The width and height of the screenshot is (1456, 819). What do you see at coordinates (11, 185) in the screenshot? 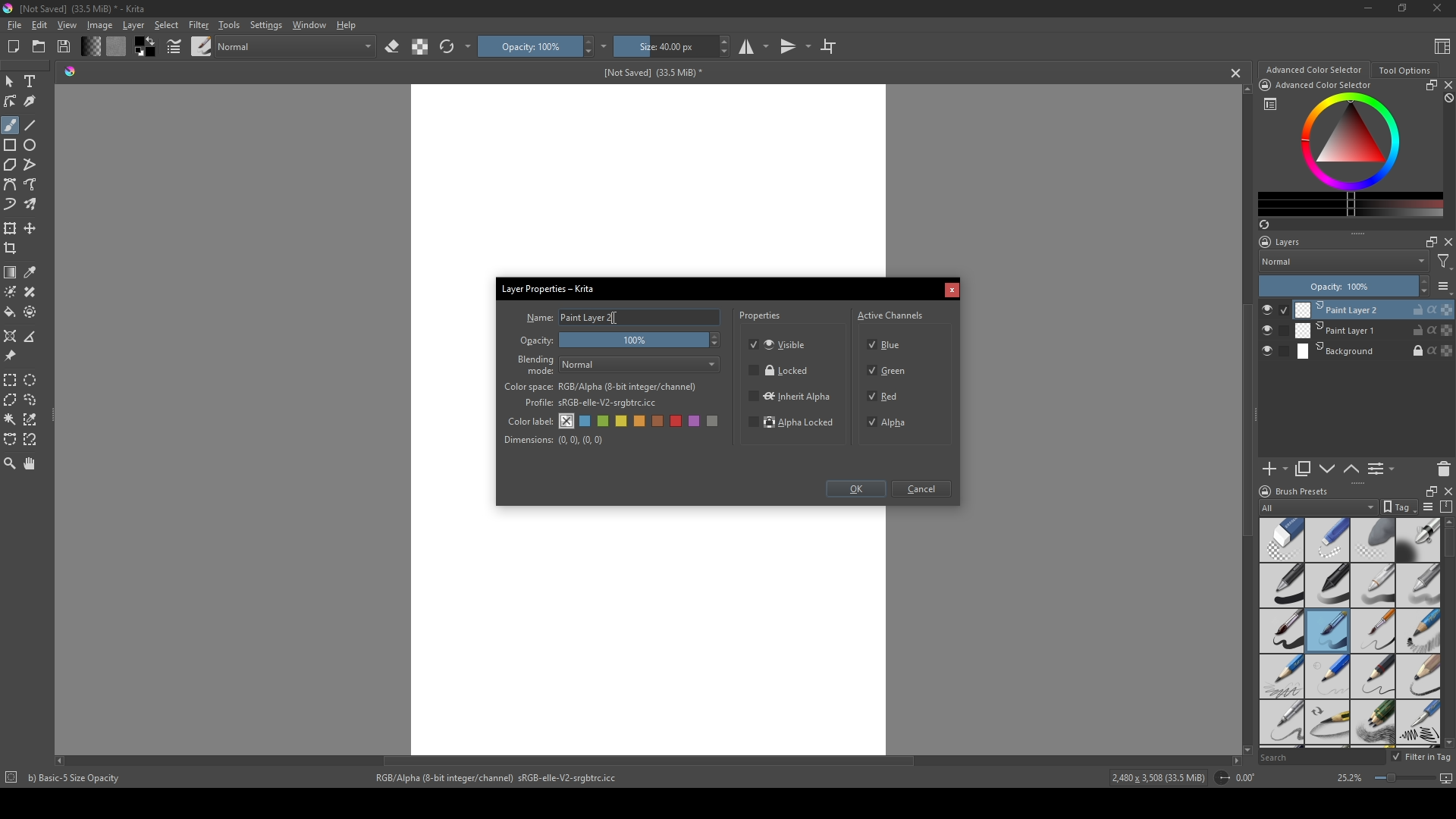
I see `bezier` at bounding box center [11, 185].